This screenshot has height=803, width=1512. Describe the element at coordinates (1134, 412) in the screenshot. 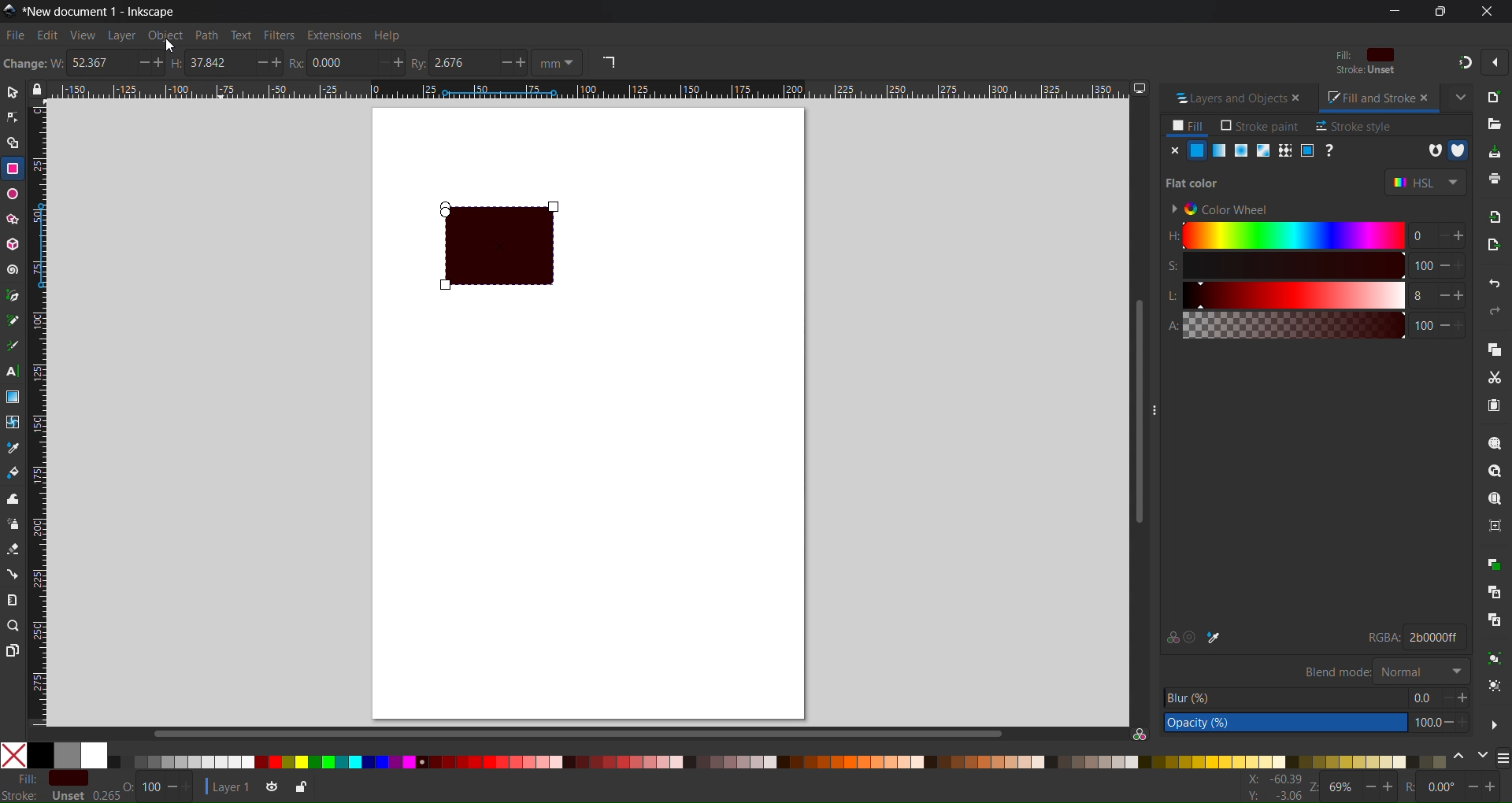

I see `Vertical scroll bar` at that location.